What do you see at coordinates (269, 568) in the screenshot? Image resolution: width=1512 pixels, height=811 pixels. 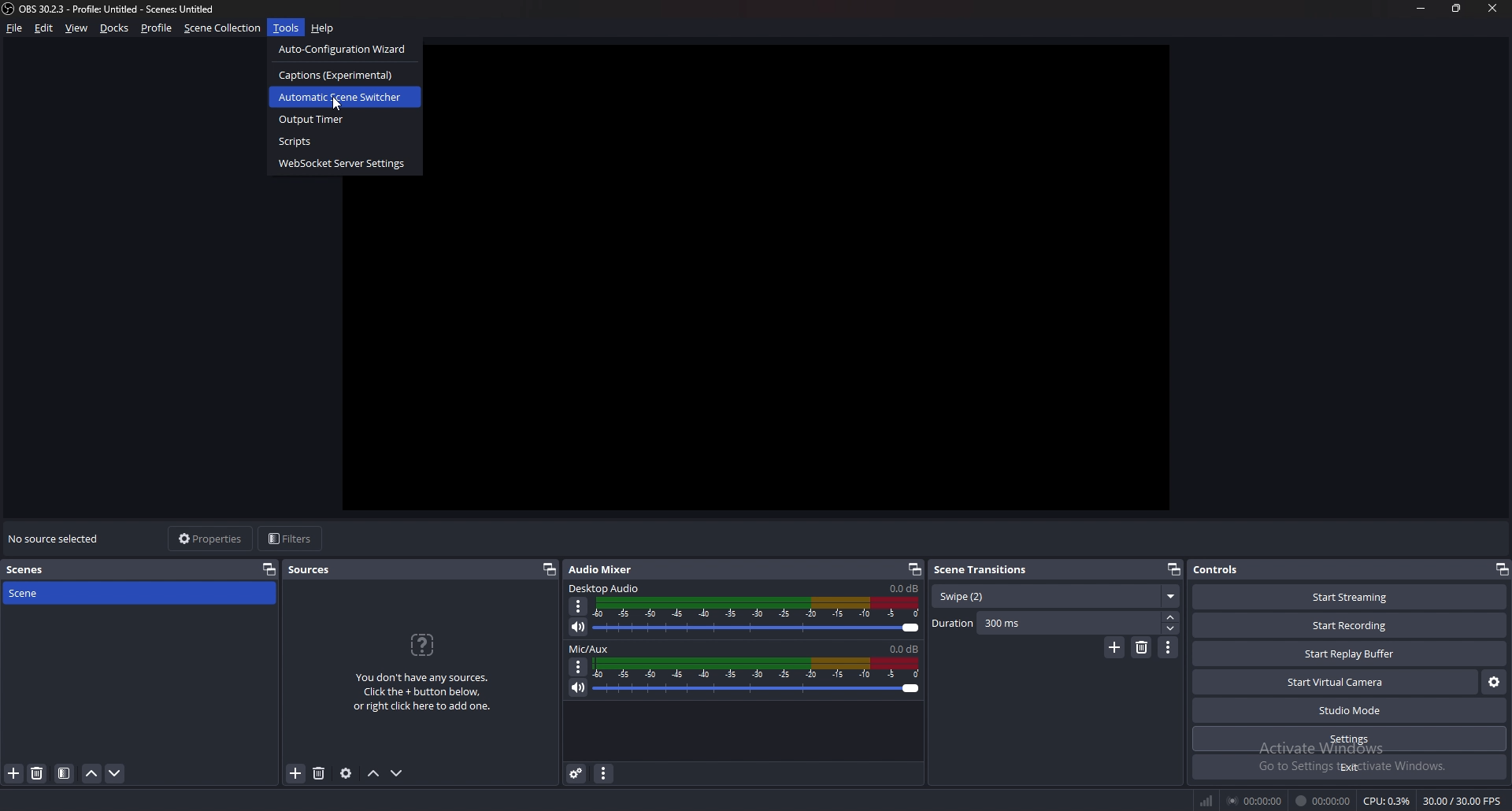 I see `pop out` at bounding box center [269, 568].